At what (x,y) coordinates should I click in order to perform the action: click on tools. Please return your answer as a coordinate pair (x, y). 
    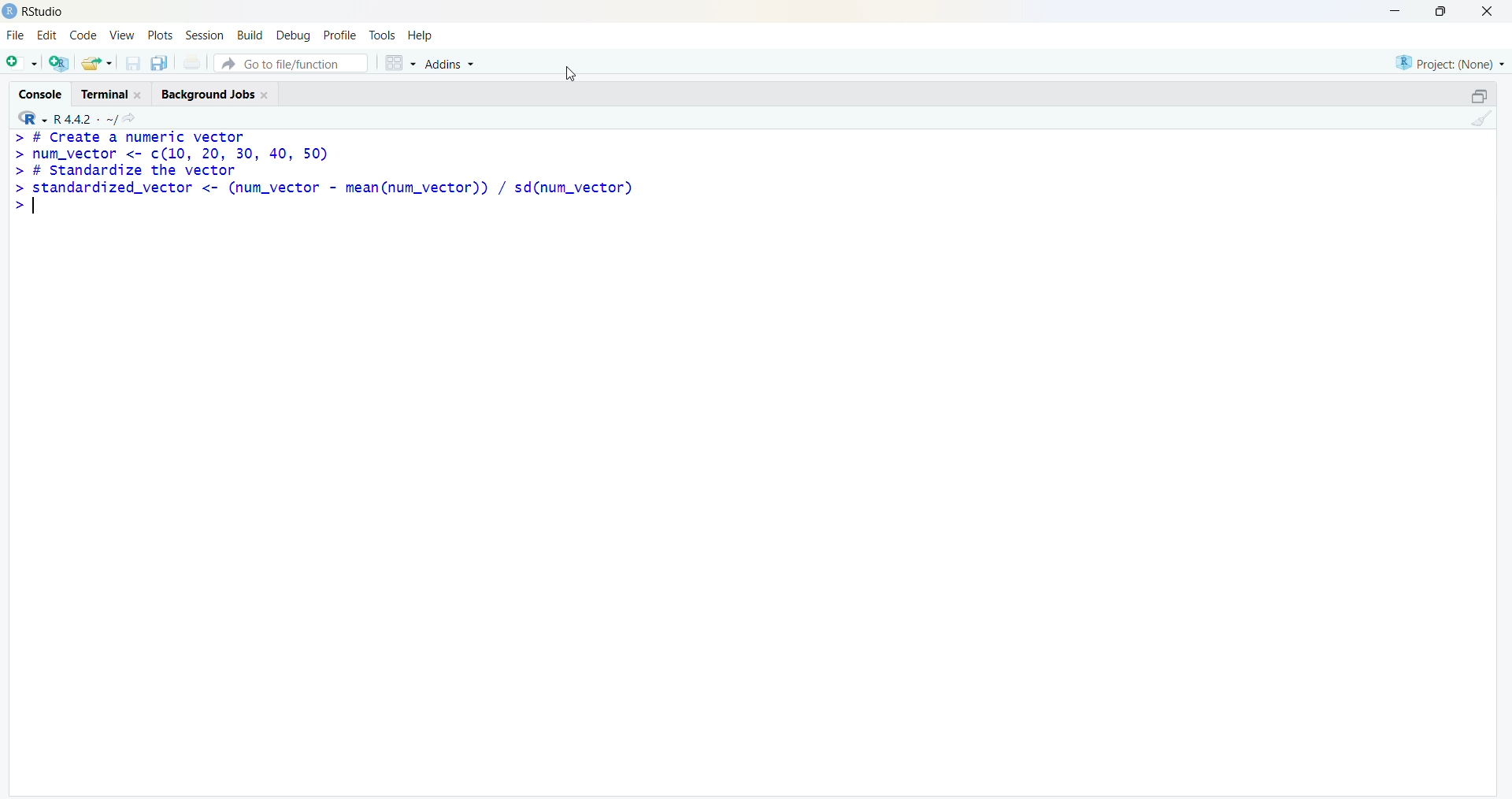
    Looking at the image, I should click on (383, 35).